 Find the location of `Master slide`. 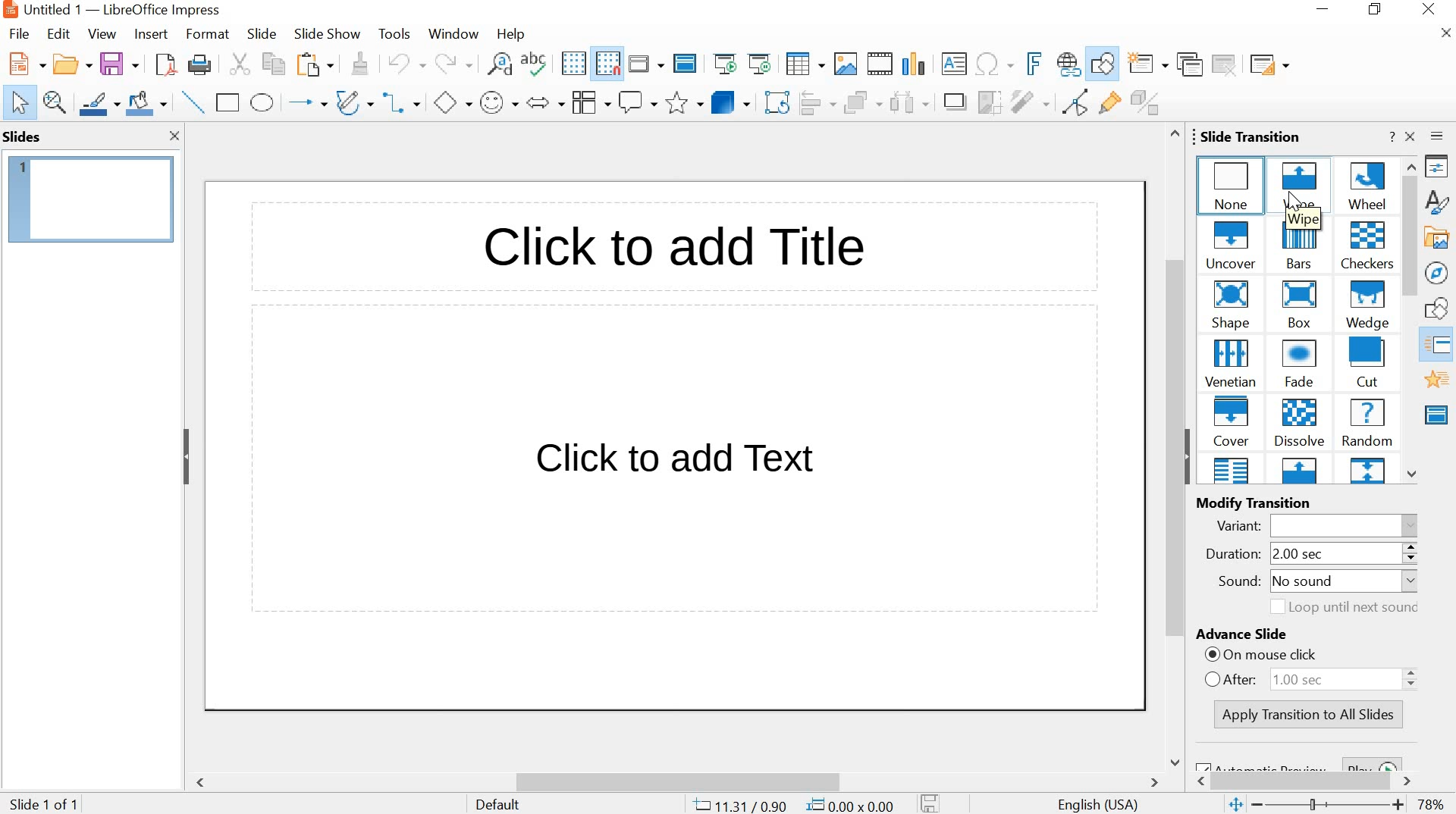

Master slide is located at coordinates (687, 62).